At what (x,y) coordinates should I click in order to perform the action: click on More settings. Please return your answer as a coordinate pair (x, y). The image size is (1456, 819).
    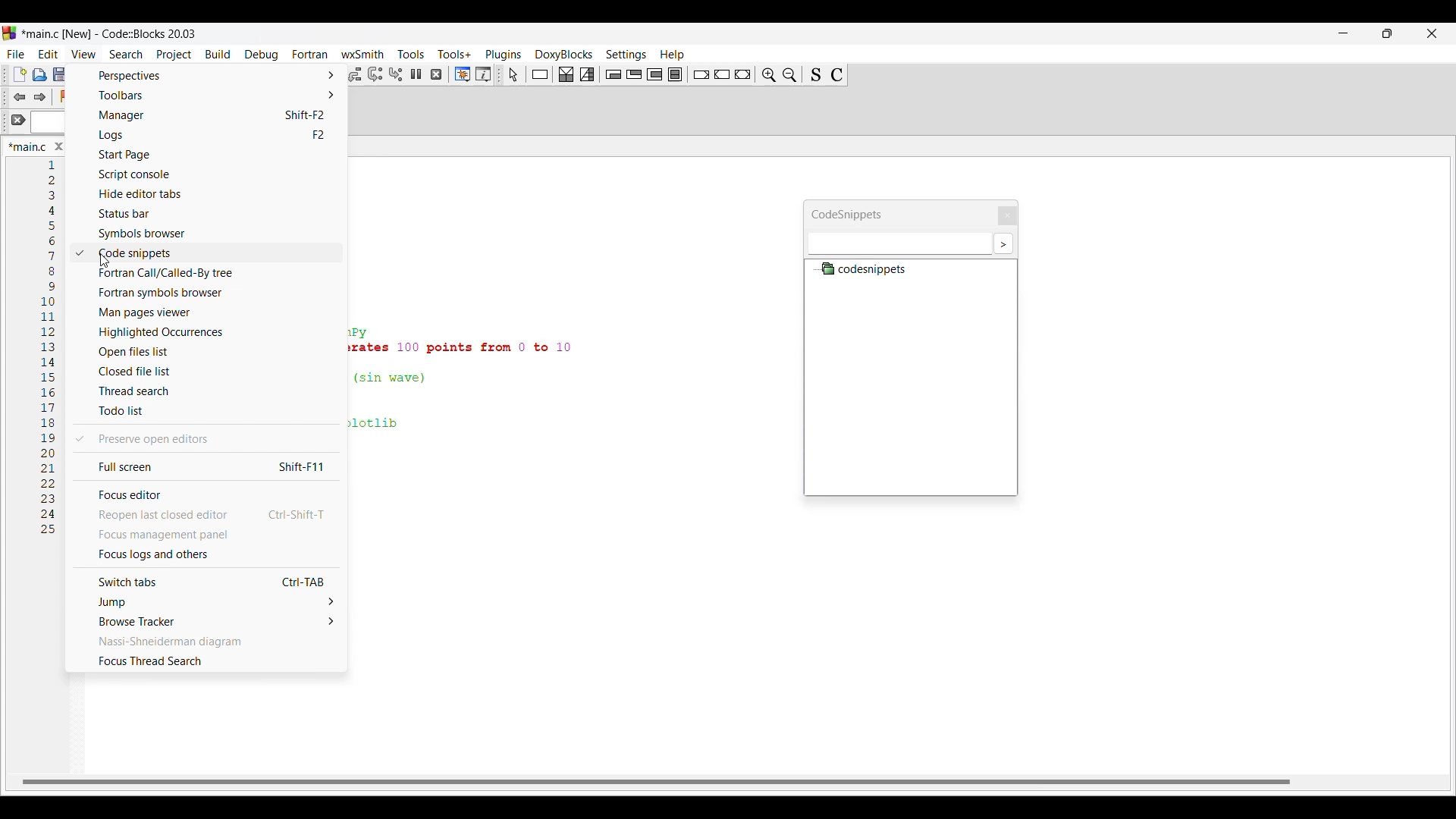
    Looking at the image, I should click on (1003, 243).